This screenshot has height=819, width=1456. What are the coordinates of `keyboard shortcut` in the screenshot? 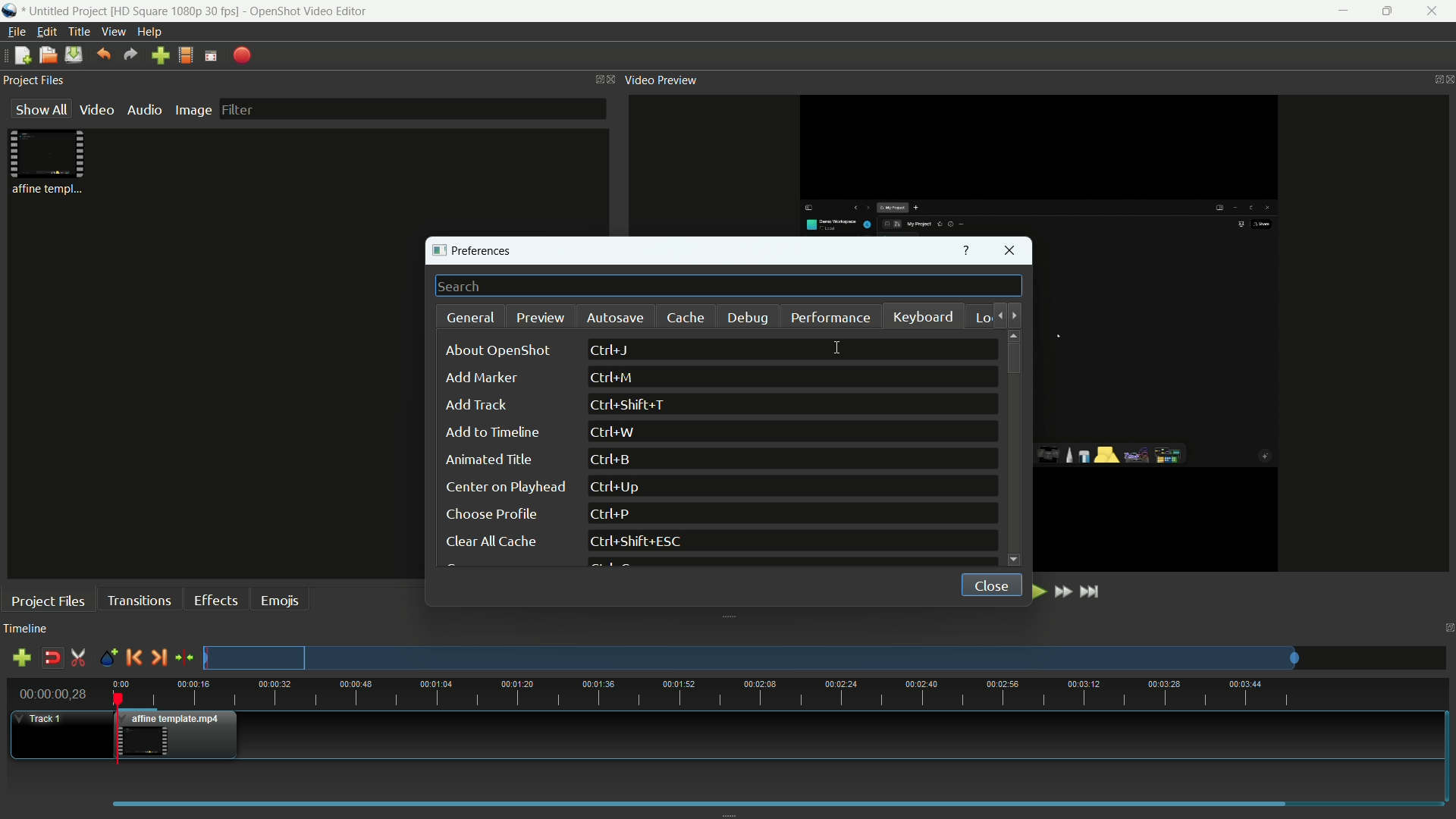 It's located at (613, 378).